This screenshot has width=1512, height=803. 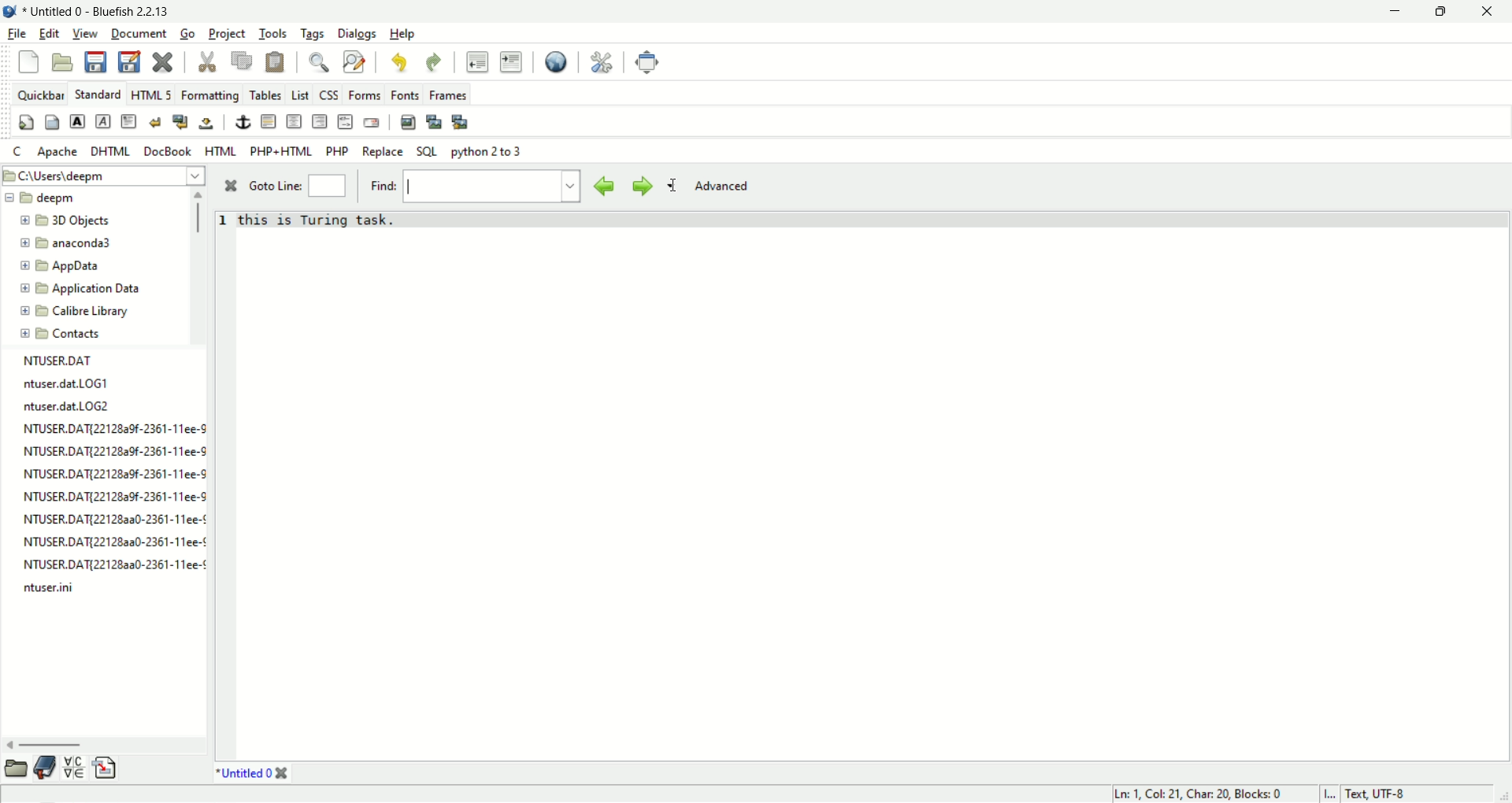 What do you see at coordinates (53, 744) in the screenshot?
I see `horizontal scroll bar` at bounding box center [53, 744].